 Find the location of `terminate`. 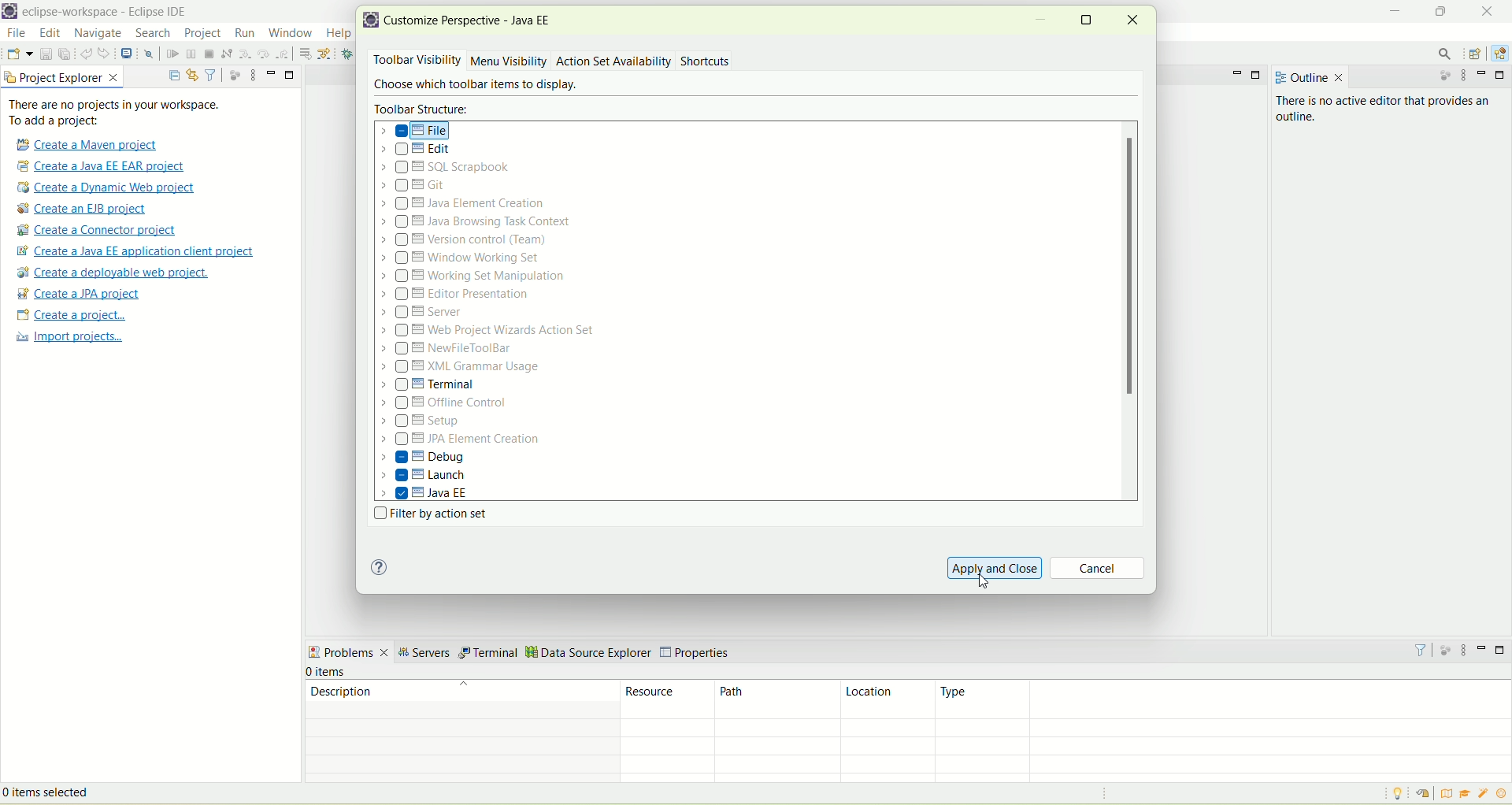

terminate is located at coordinates (209, 54).